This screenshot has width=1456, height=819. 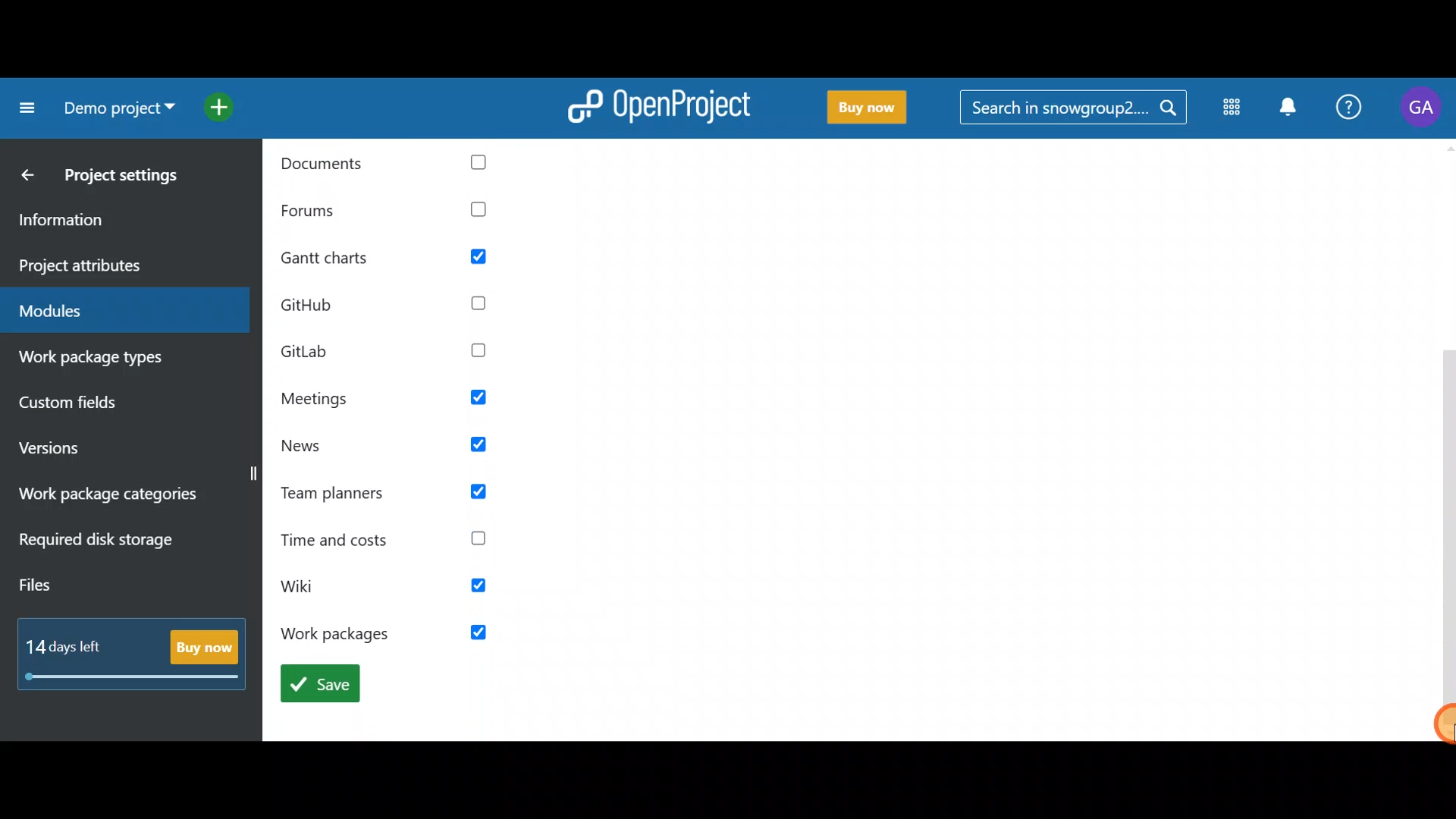 I want to click on News, so click(x=387, y=448).